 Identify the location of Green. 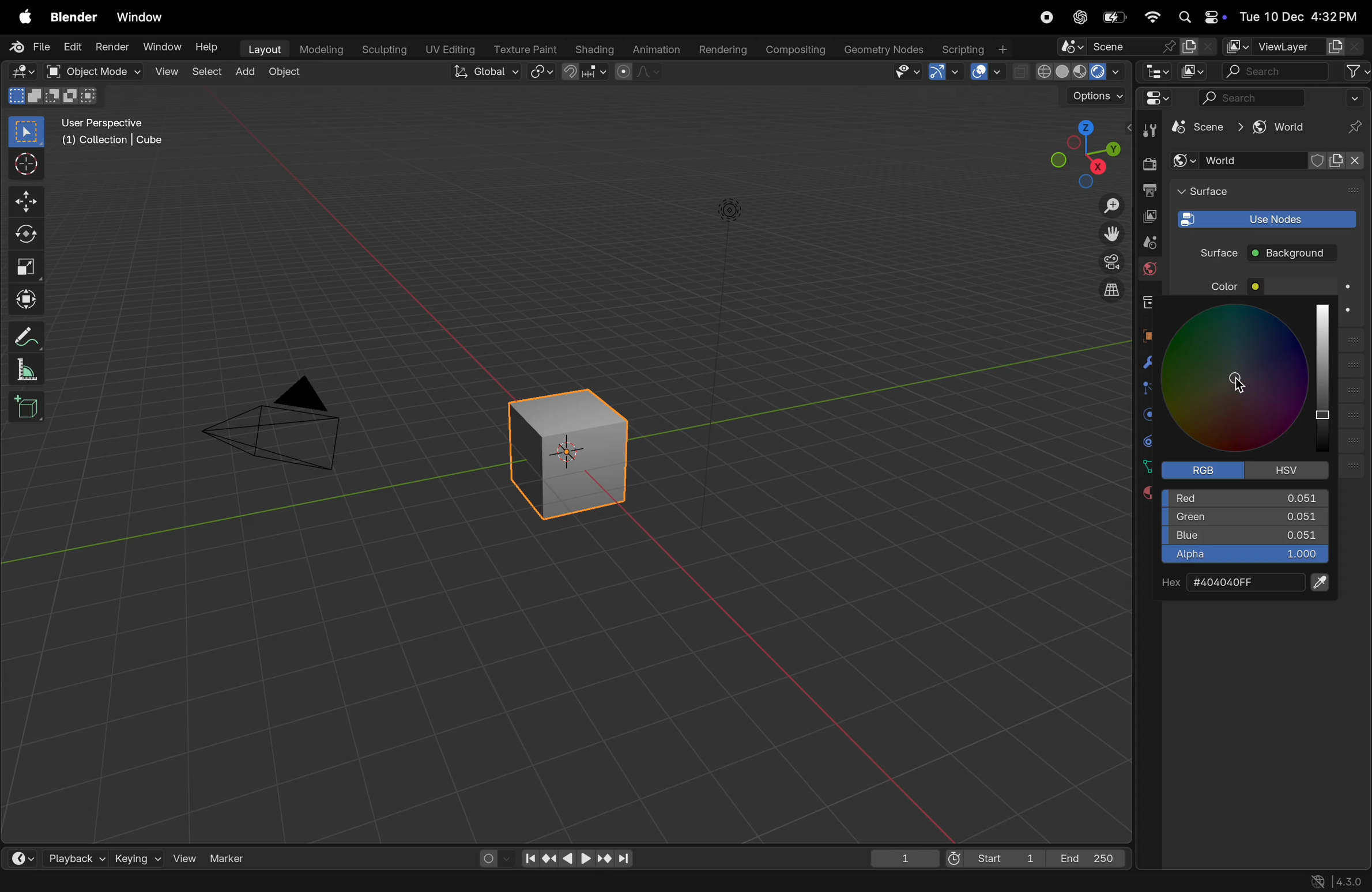
(1245, 517).